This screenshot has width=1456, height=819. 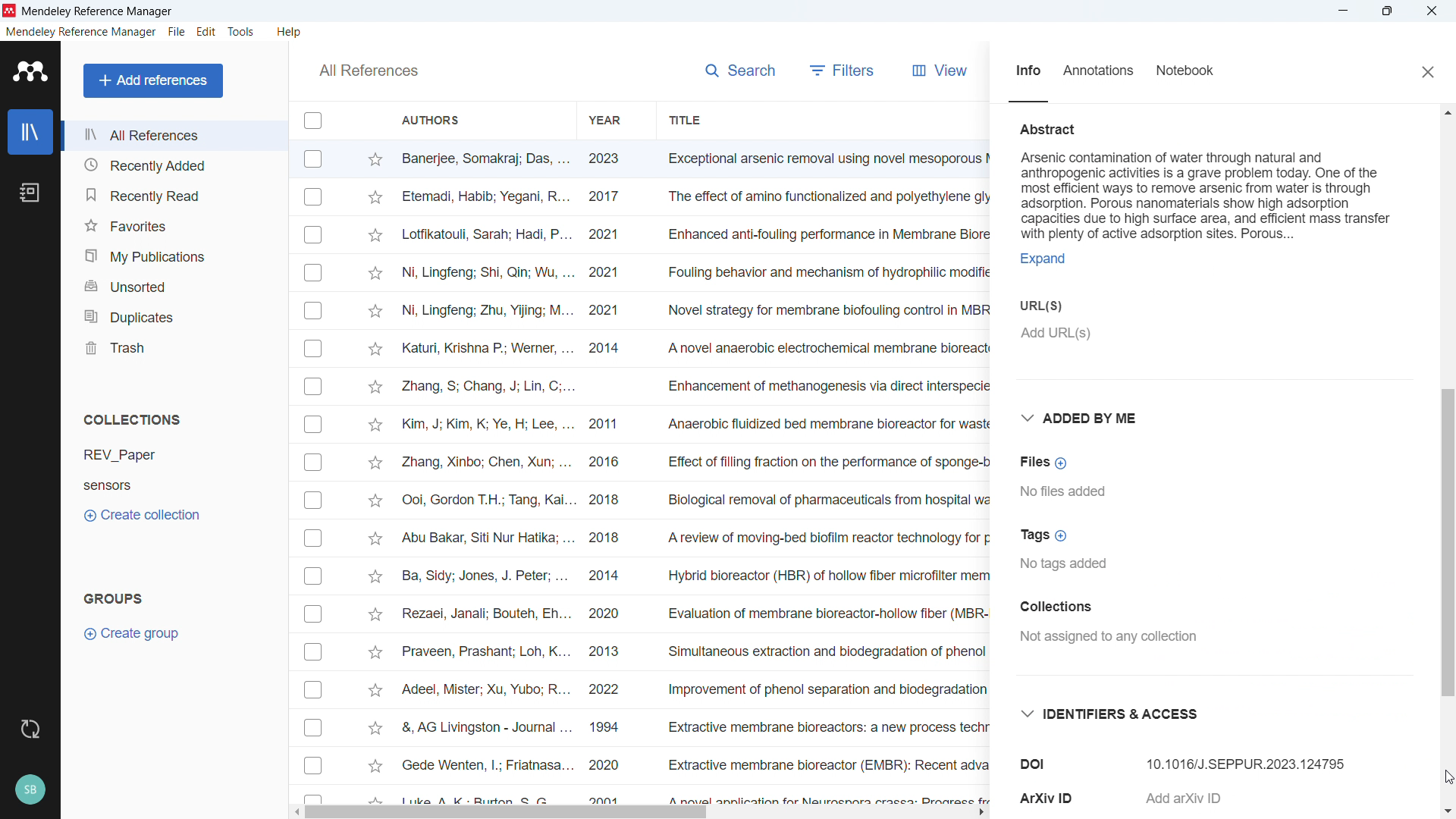 What do you see at coordinates (138, 633) in the screenshot?
I see `create group` at bounding box center [138, 633].